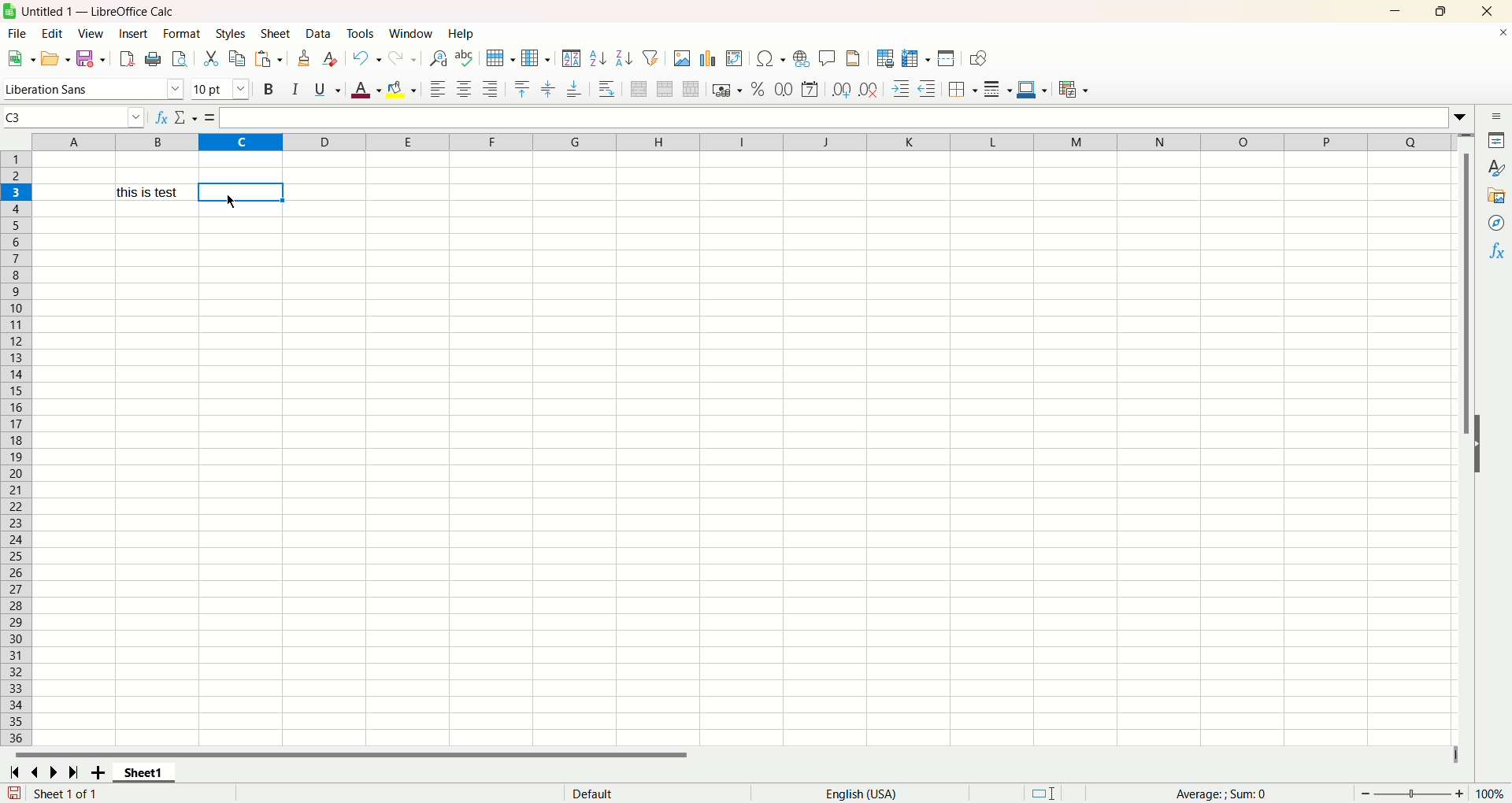  What do you see at coordinates (1077, 91) in the screenshot?
I see `conditional formatting` at bounding box center [1077, 91].